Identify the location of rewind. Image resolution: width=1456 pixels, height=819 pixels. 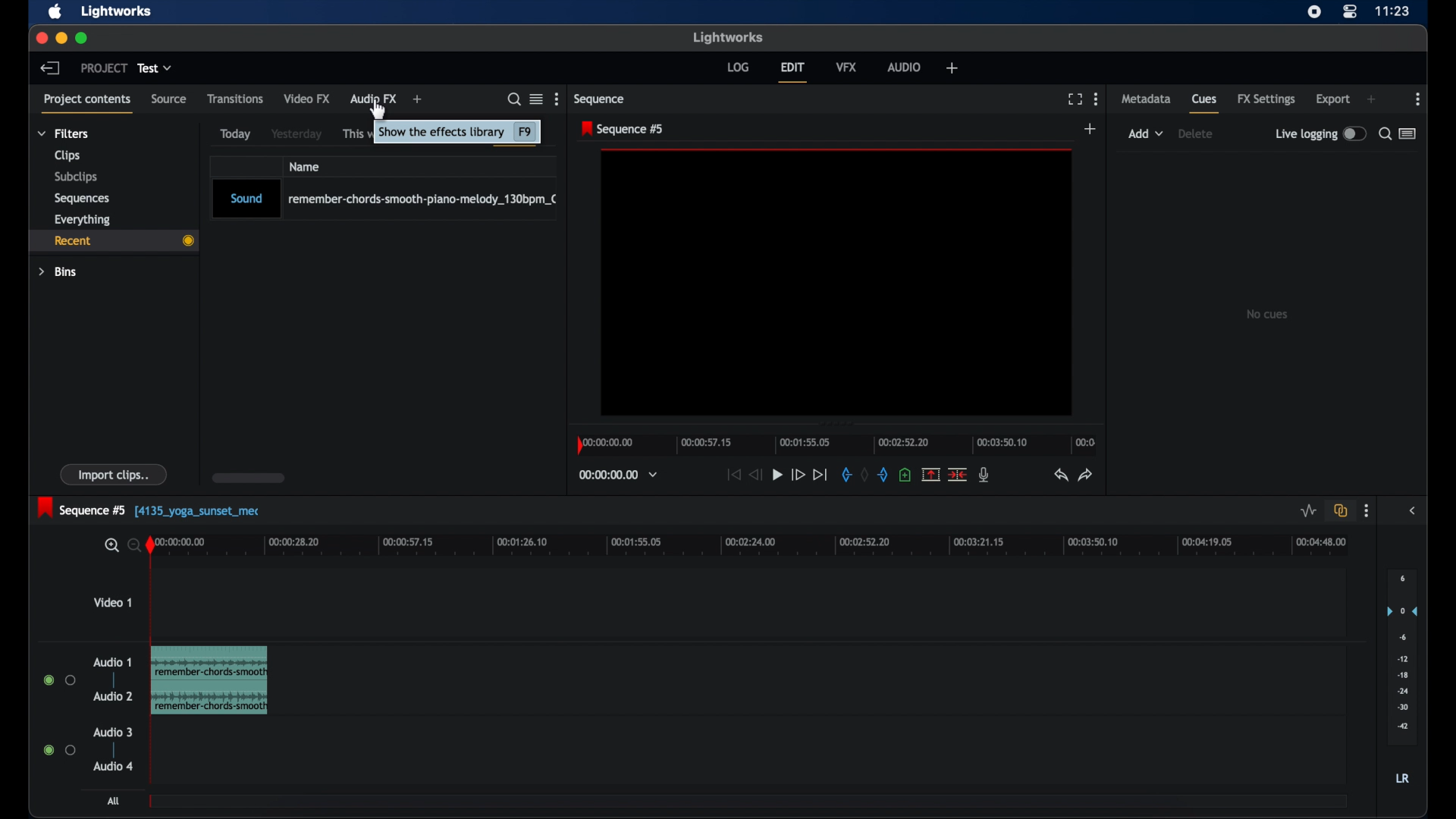
(754, 475).